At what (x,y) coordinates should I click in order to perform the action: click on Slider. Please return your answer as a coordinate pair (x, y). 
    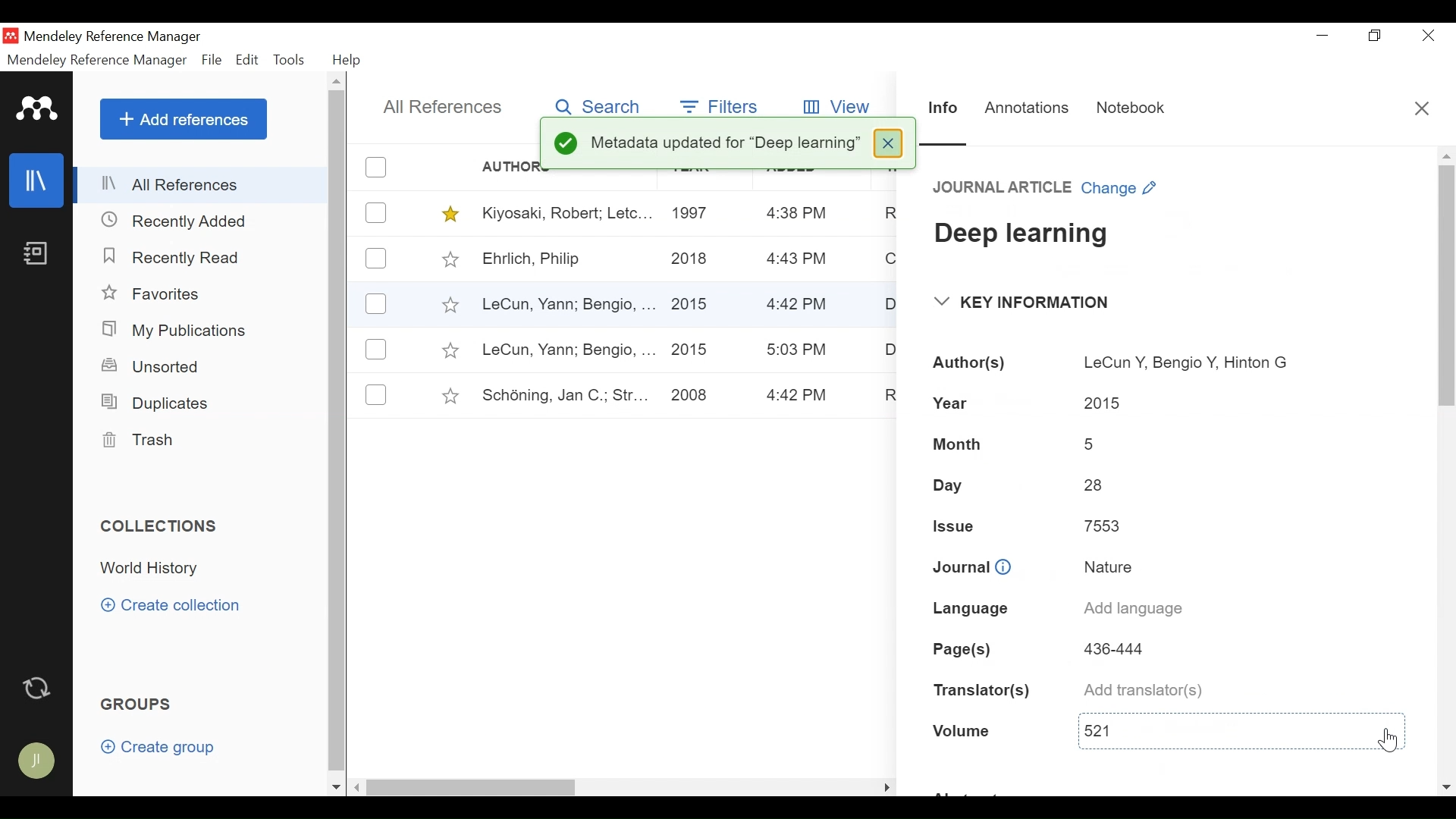
    Looking at the image, I should click on (946, 143).